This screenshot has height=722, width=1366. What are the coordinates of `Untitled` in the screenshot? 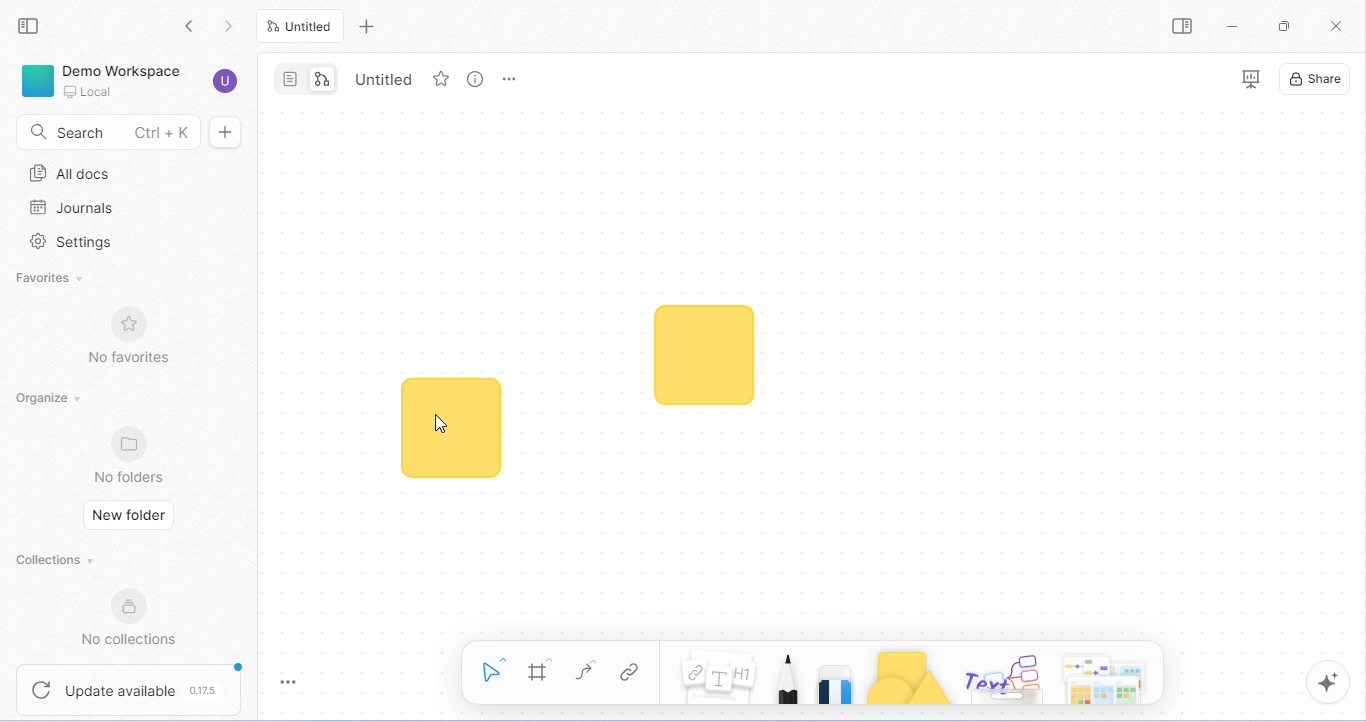 It's located at (386, 80).